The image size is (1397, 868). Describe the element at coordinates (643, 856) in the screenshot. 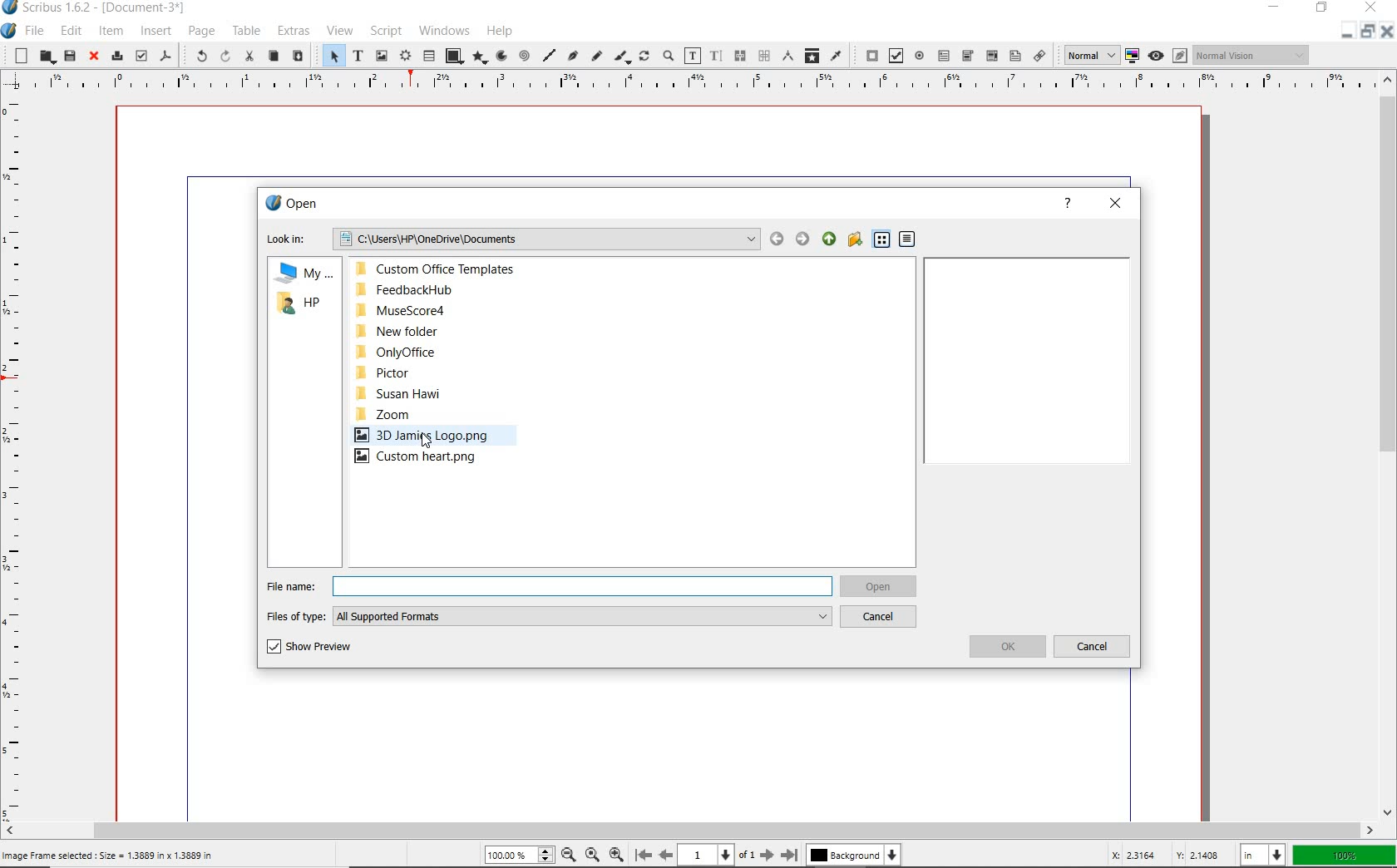

I see `first` at that location.